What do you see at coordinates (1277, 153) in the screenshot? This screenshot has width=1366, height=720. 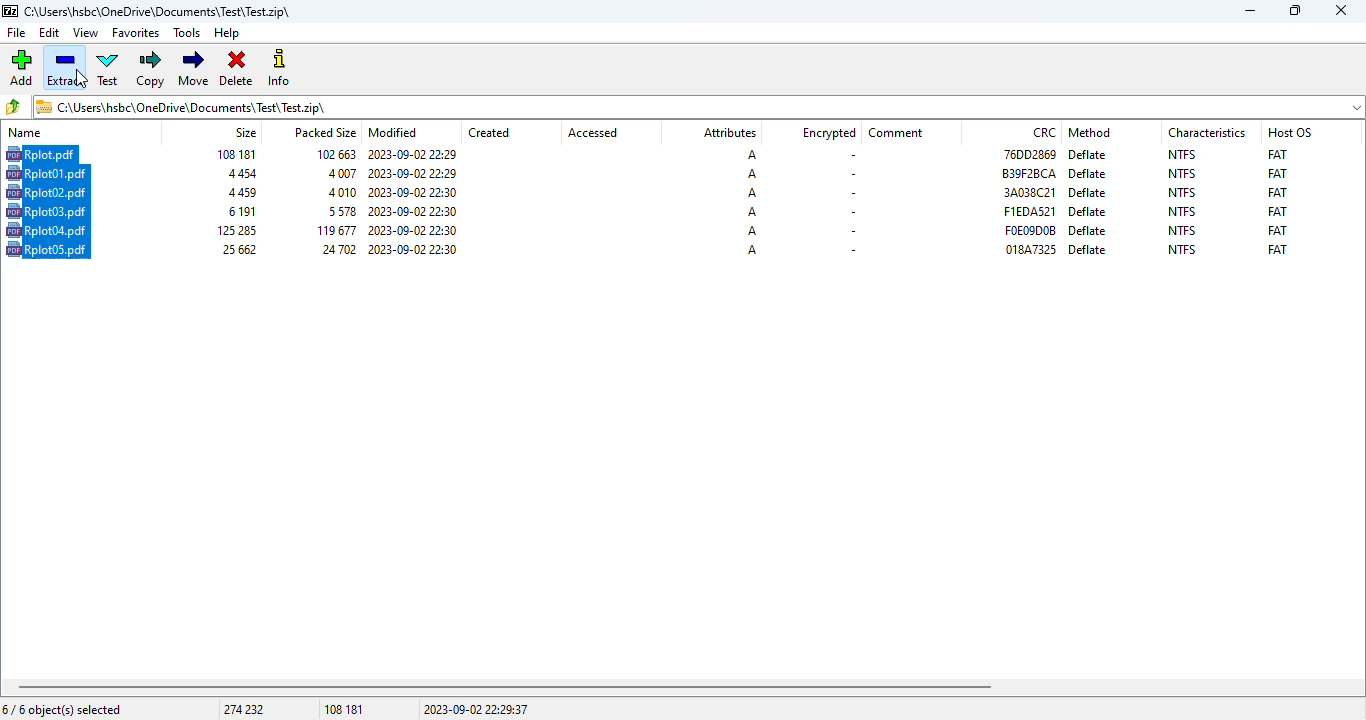 I see `FAT` at bounding box center [1277, 153].